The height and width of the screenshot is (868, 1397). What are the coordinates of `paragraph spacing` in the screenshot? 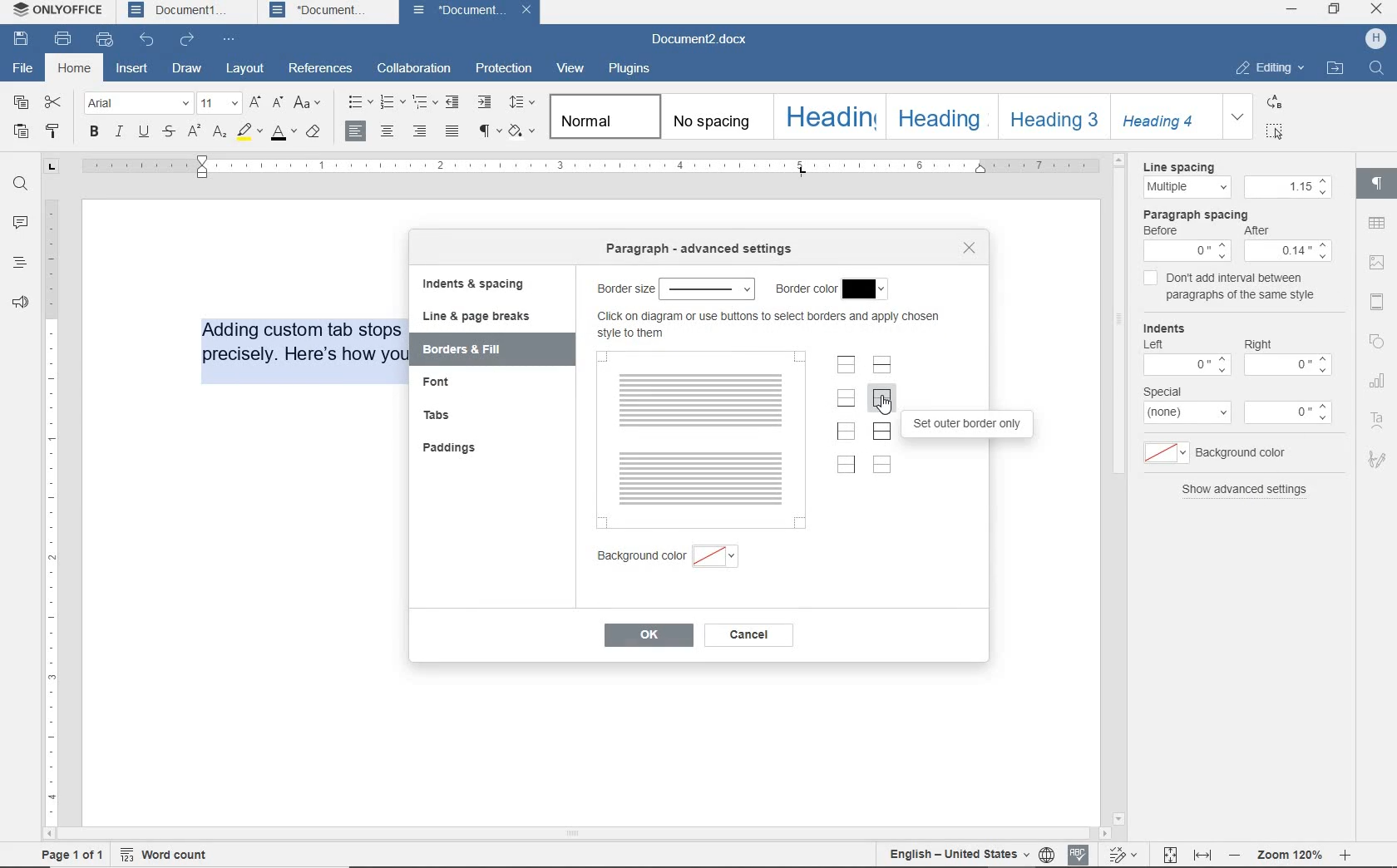 It's located at (1197, 214).